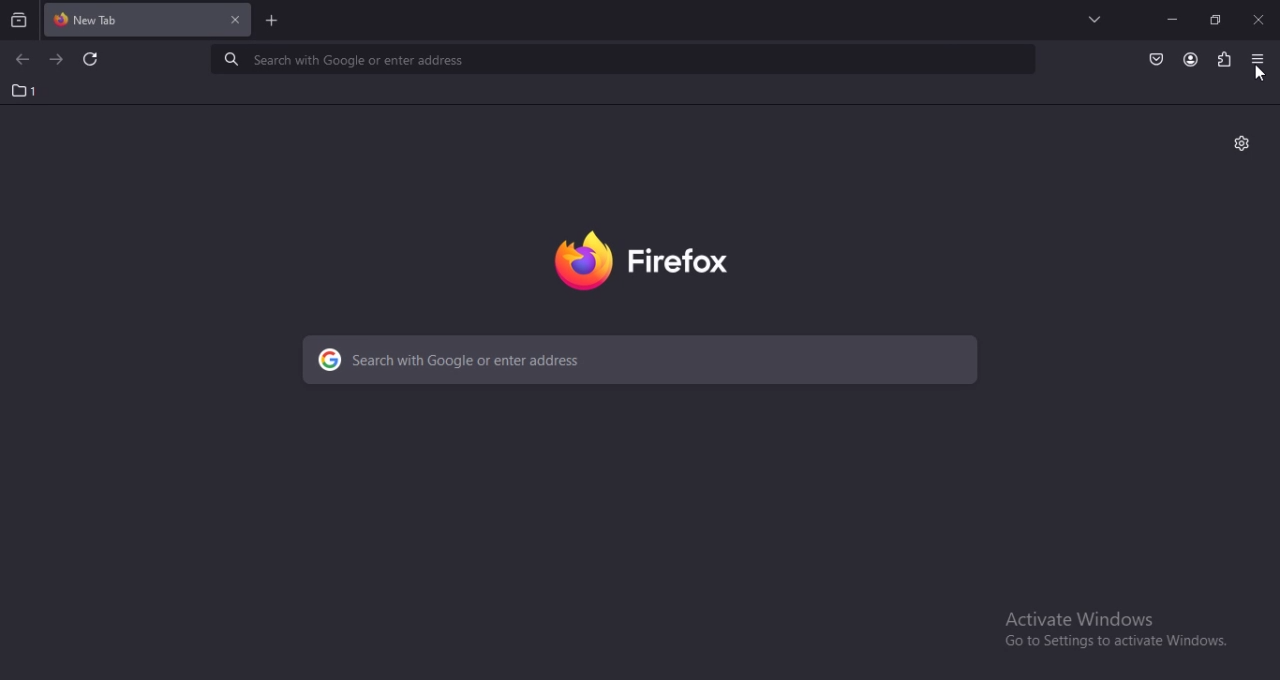 The image size is (1280, 680). What do you see at coordinates (1258, 22) in the screenshot?
I see `close` at bounding box center [1258, 22].